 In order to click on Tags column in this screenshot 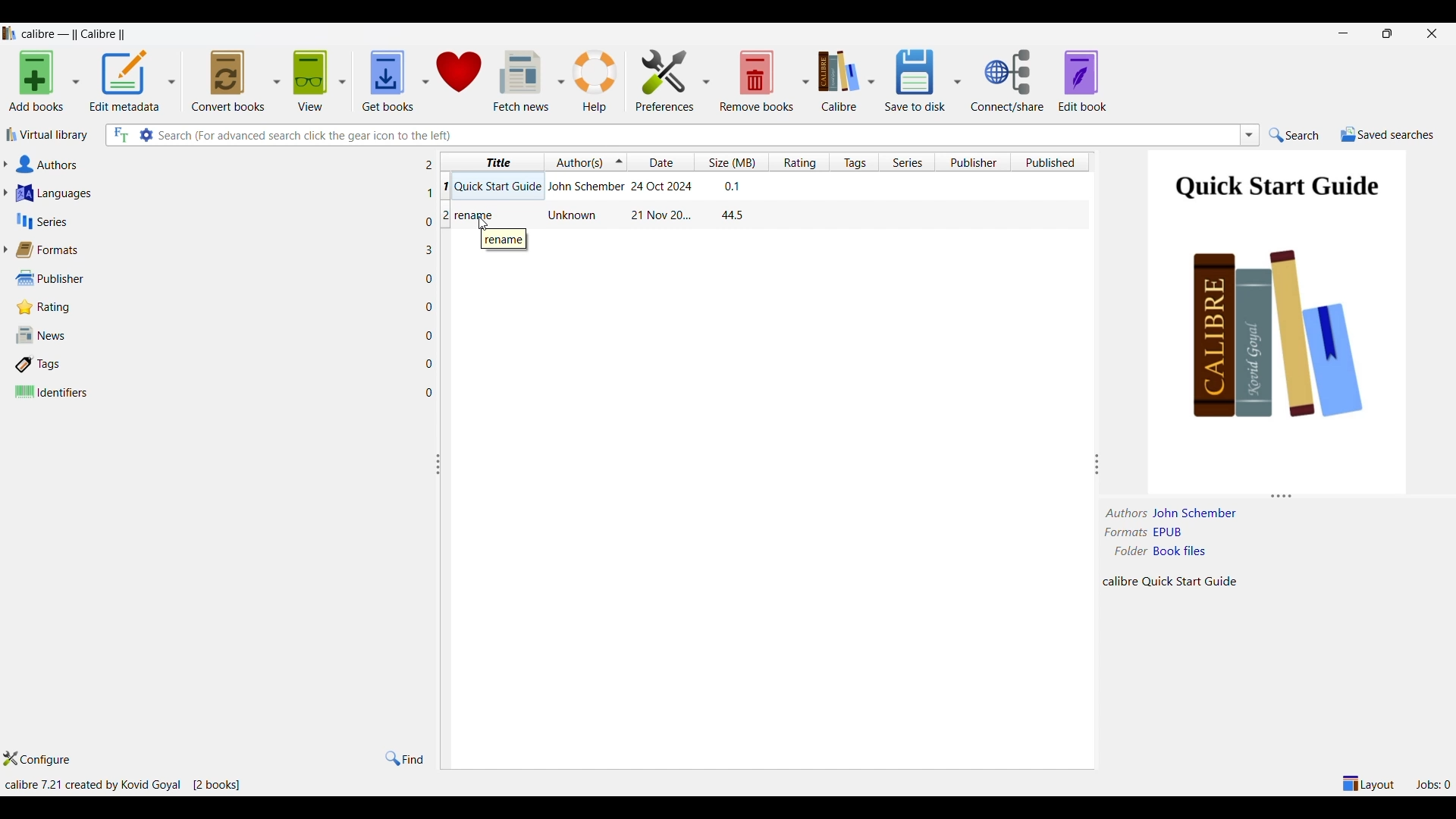, I will do `click(854, 162)`.